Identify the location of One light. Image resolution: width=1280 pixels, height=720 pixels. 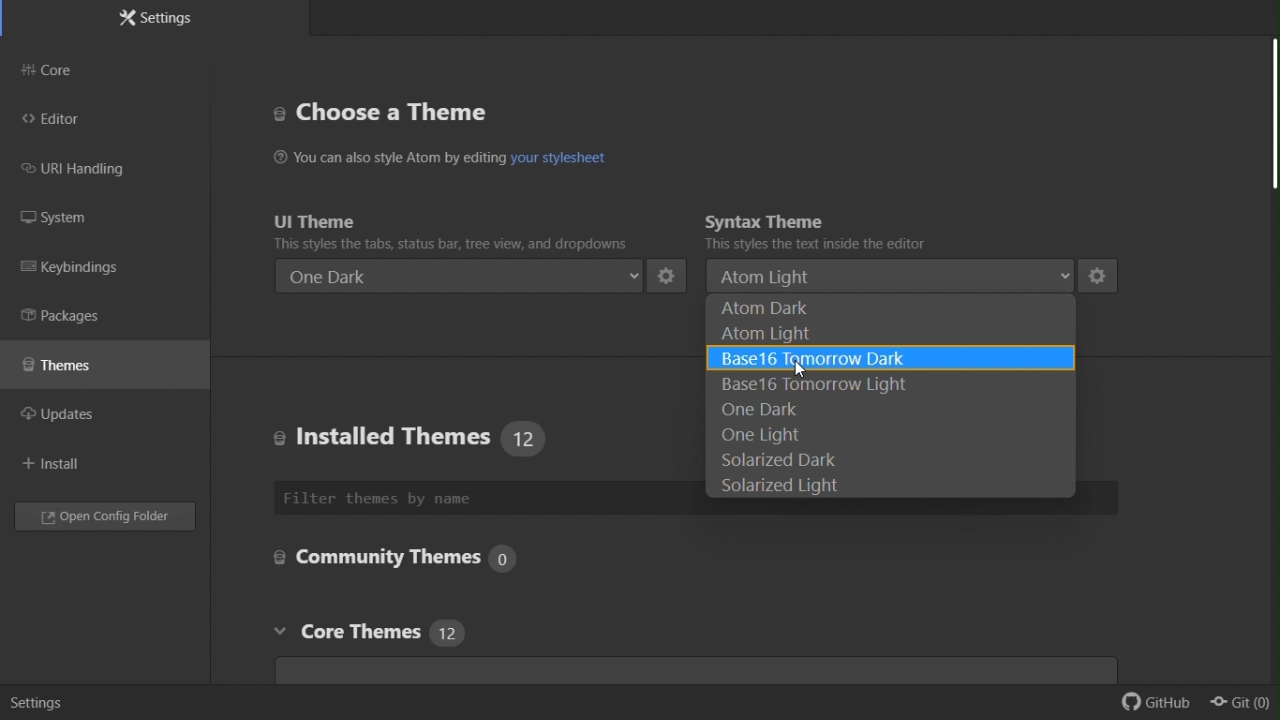
(899, 437).